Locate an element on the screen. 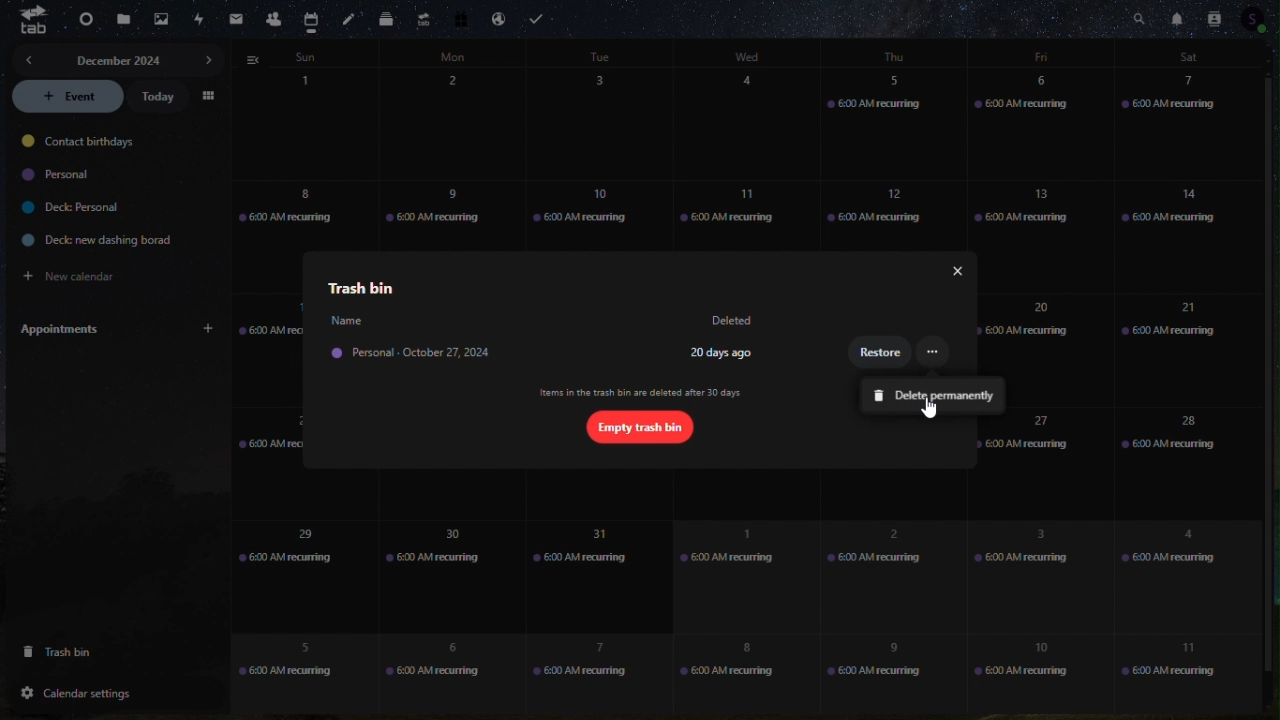  8 is located at coordinates (732, 674).